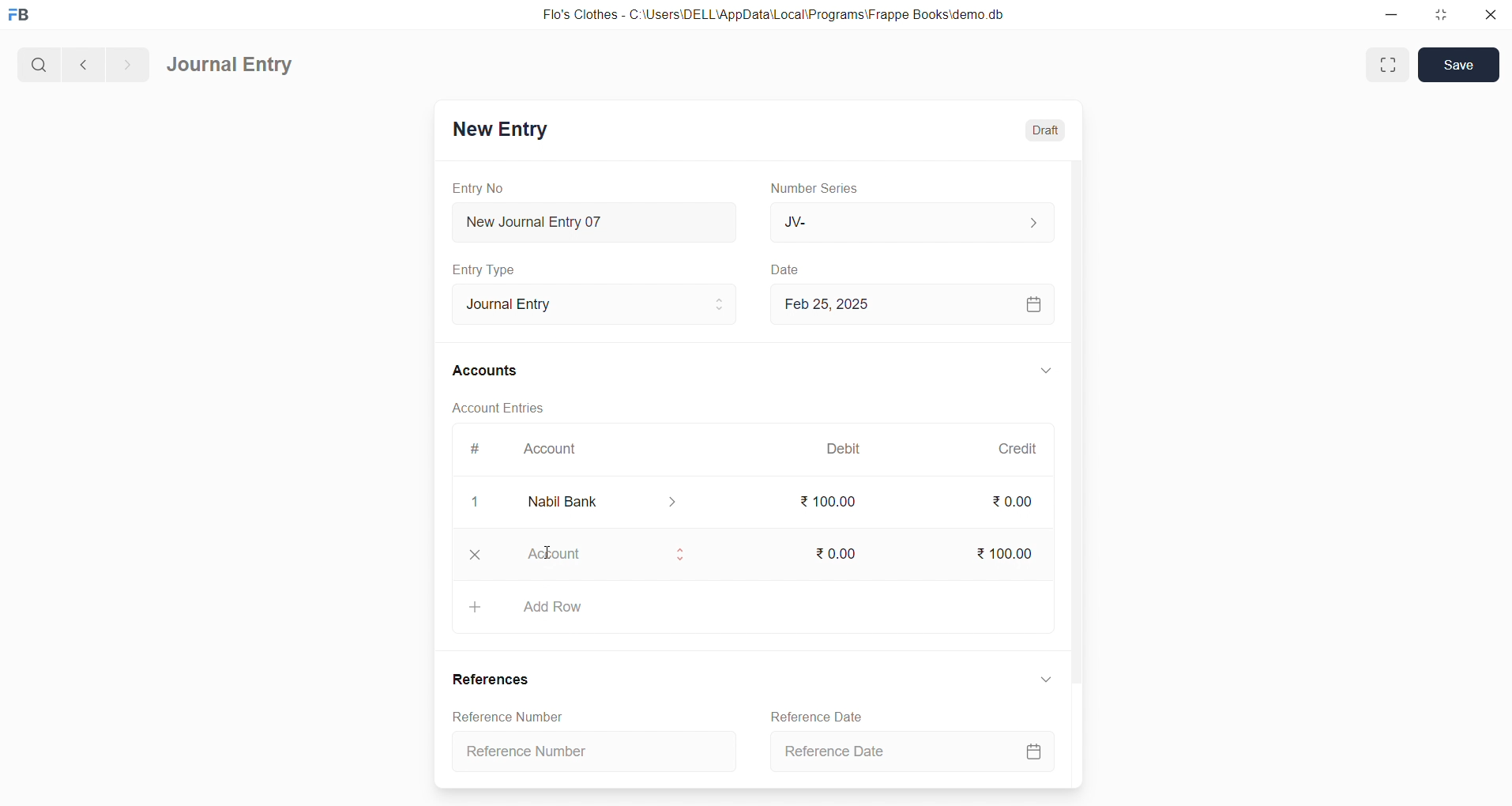 The image size is (1512, 806). What do you see at coordinates (37, 62) in the screenshot?
I see `search` at bounding box center [37, 62].